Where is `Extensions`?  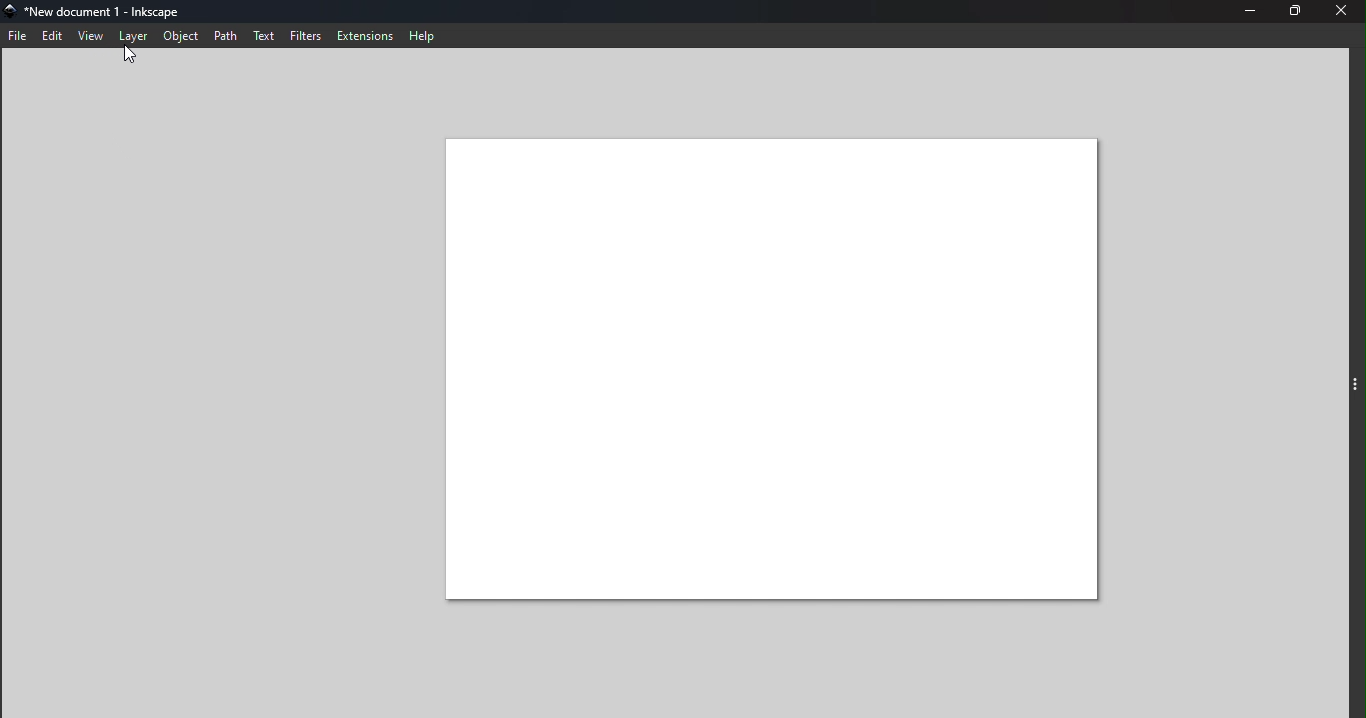
Extensions is located at coordinates (364, 35).